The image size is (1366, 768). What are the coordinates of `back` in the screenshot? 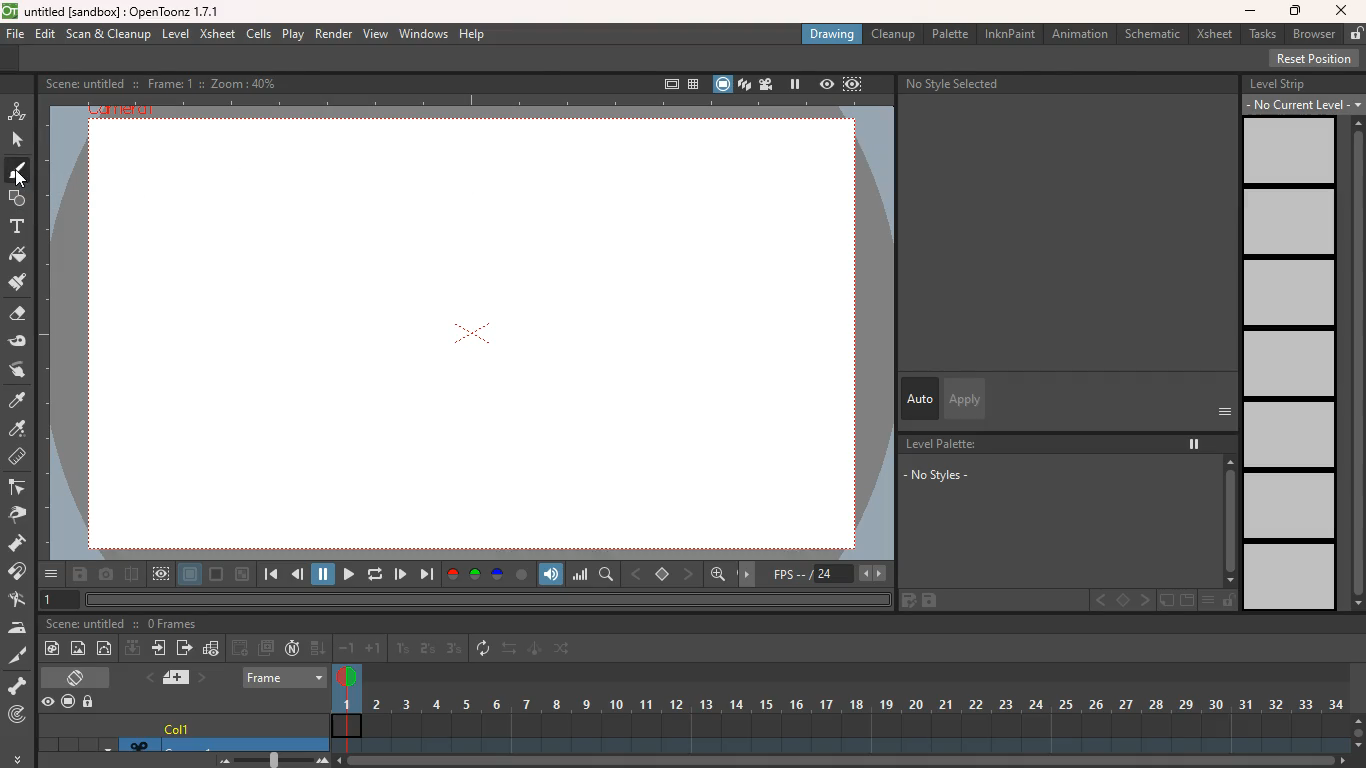 It's located at (638, 572).